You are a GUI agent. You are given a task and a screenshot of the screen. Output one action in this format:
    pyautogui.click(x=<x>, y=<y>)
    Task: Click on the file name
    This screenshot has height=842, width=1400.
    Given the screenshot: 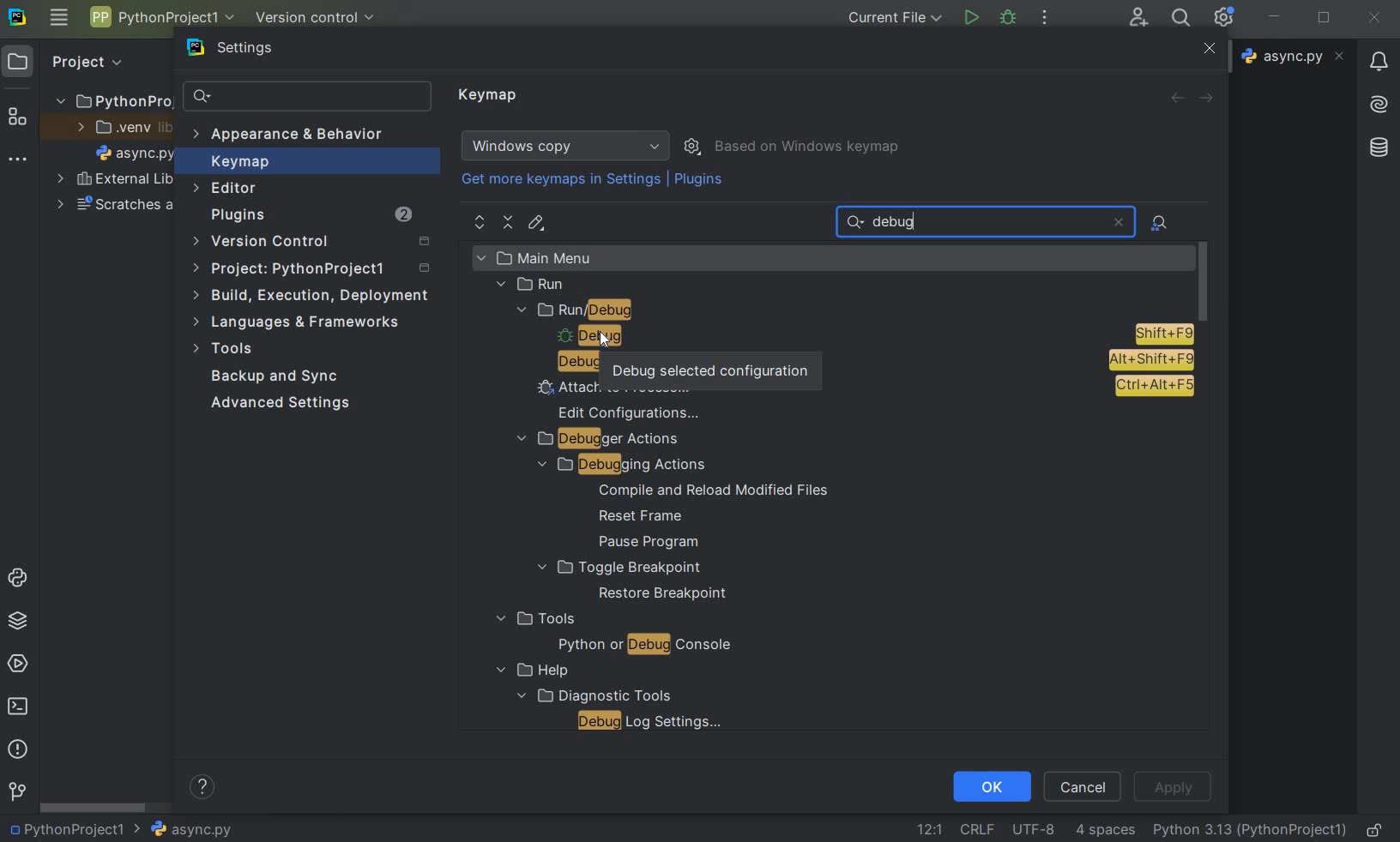 What is the action you would take?
    pyautogui.click(x=1295, y=56)
    